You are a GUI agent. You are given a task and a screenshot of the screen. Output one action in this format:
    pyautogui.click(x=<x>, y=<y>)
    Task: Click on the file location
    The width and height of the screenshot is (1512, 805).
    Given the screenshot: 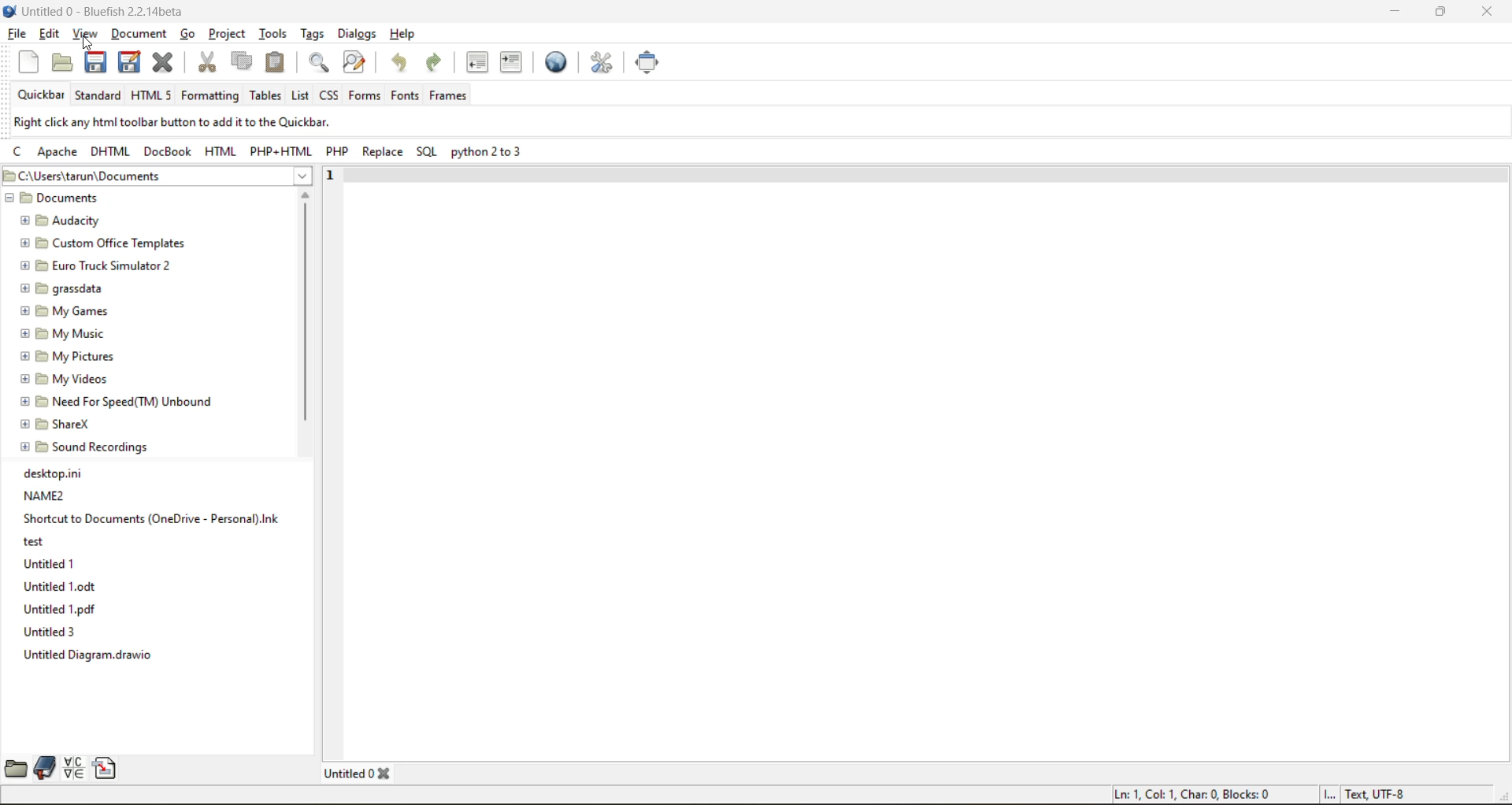 What is the action you would take?
    pyautogui.click(x=105, y=176)
    